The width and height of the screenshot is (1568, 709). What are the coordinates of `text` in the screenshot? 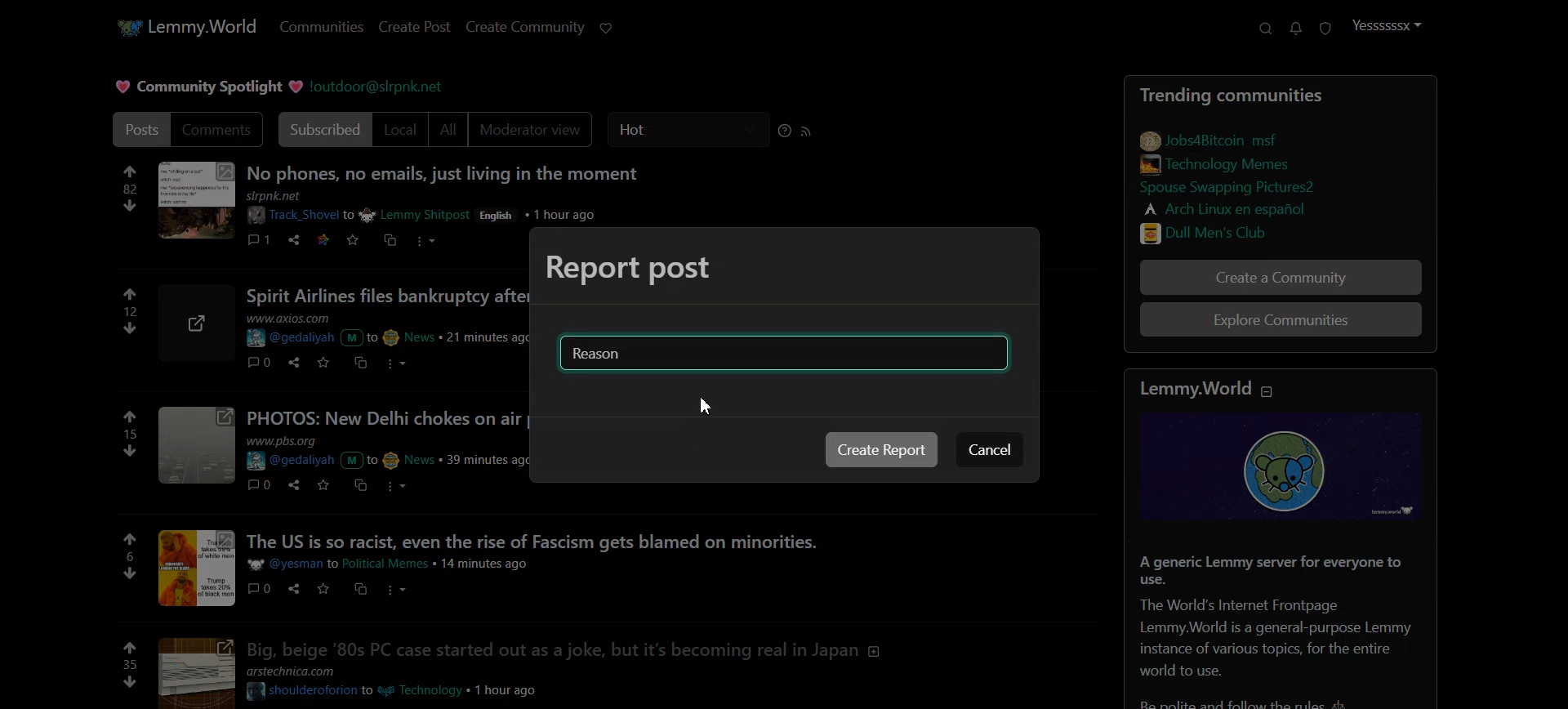 It's located at (1205, 389).